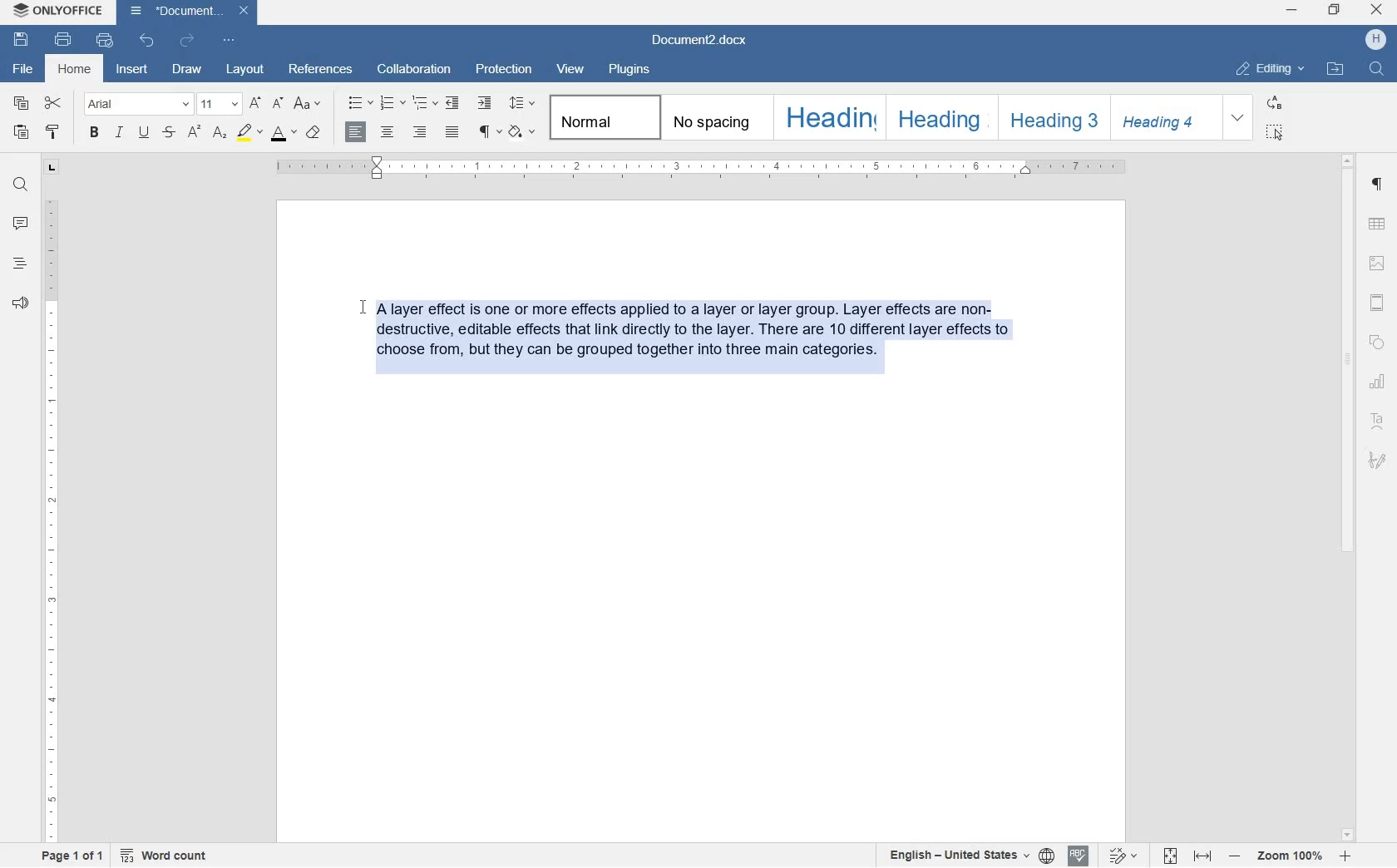 The height and width of the screenshot is (868, 1397). Describe the element at coordinates (571, 71) in the screenshot. I see `view` at that location.